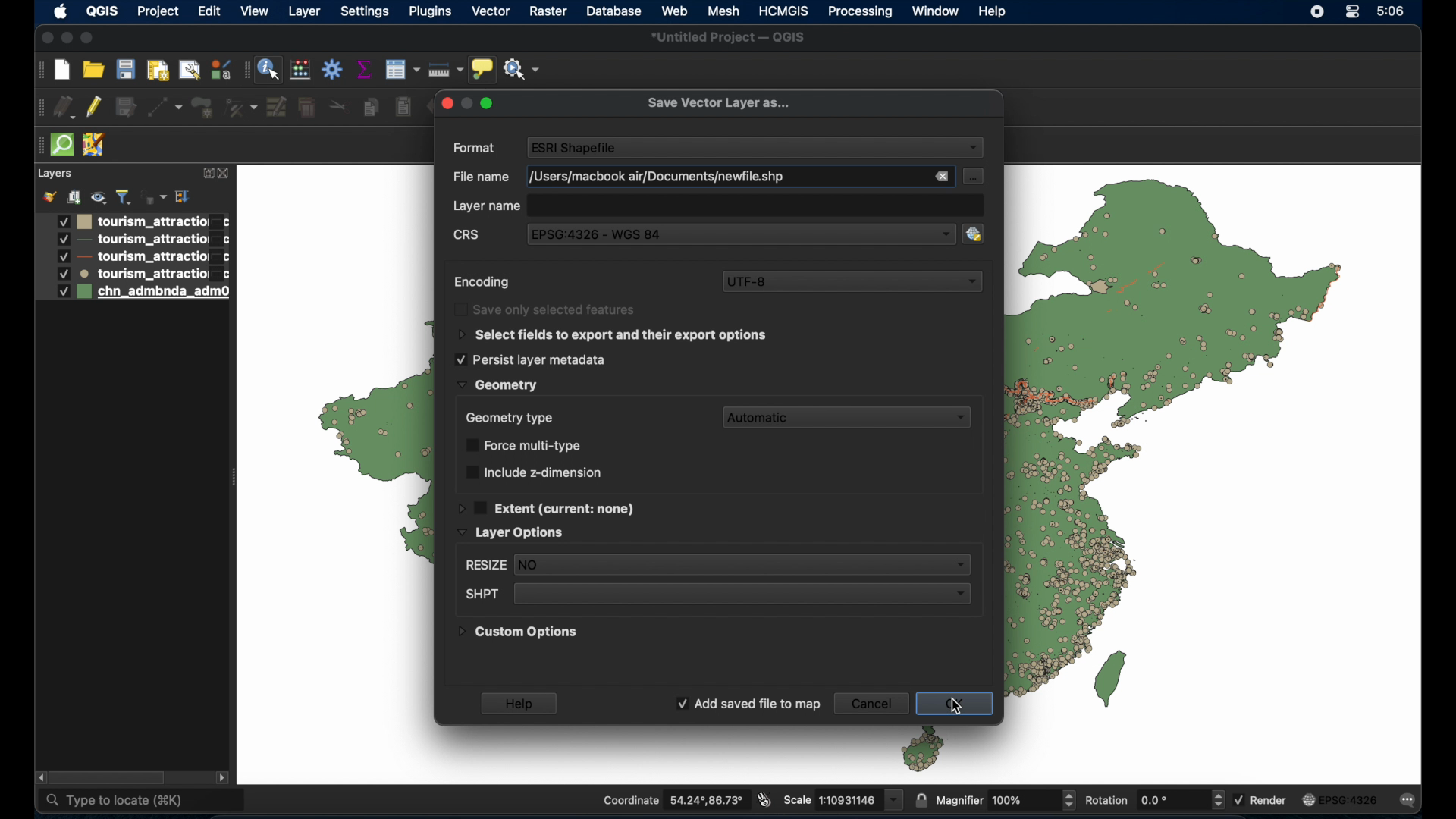  What do you see at coordinates (333, 71) in the screenshot?
I see `toolbox` at bounding box center [333, 71].